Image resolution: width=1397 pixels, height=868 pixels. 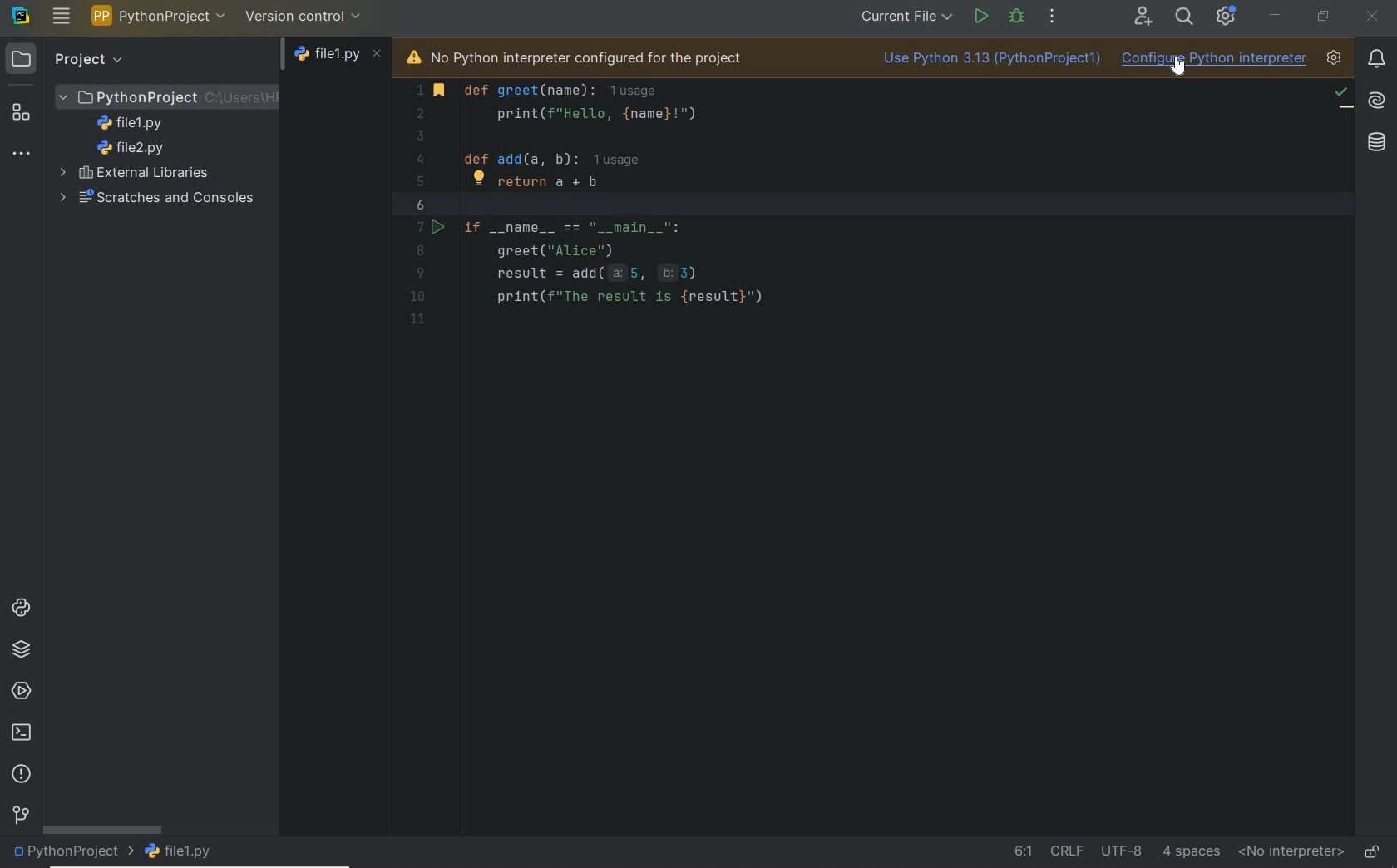 What do you see at coordinates (182, 851) in the screenshot?
I see `file name` at bounding box center [182, 851].